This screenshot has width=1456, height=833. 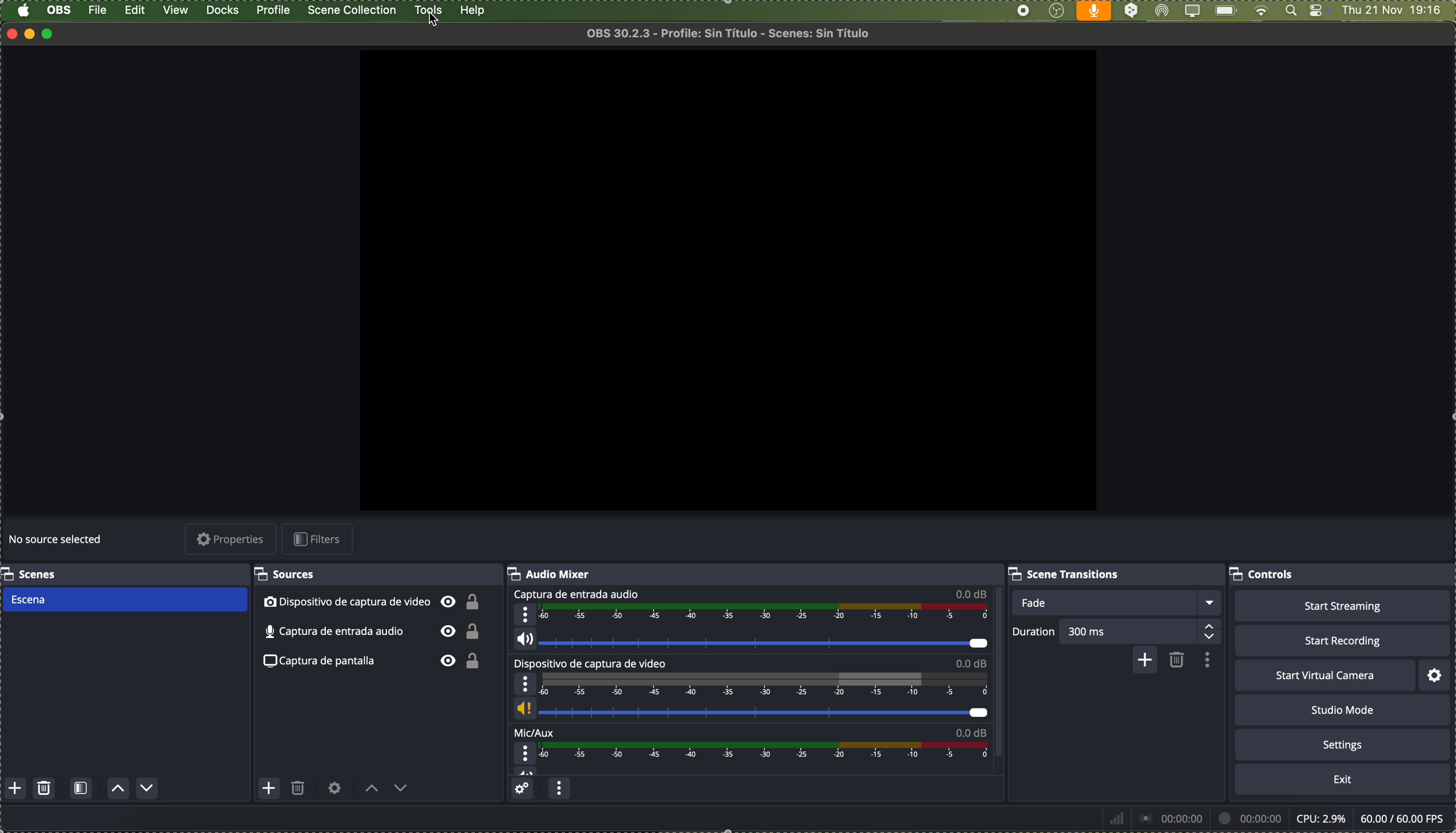 I want to click on scene, so click(x=124, y=600).